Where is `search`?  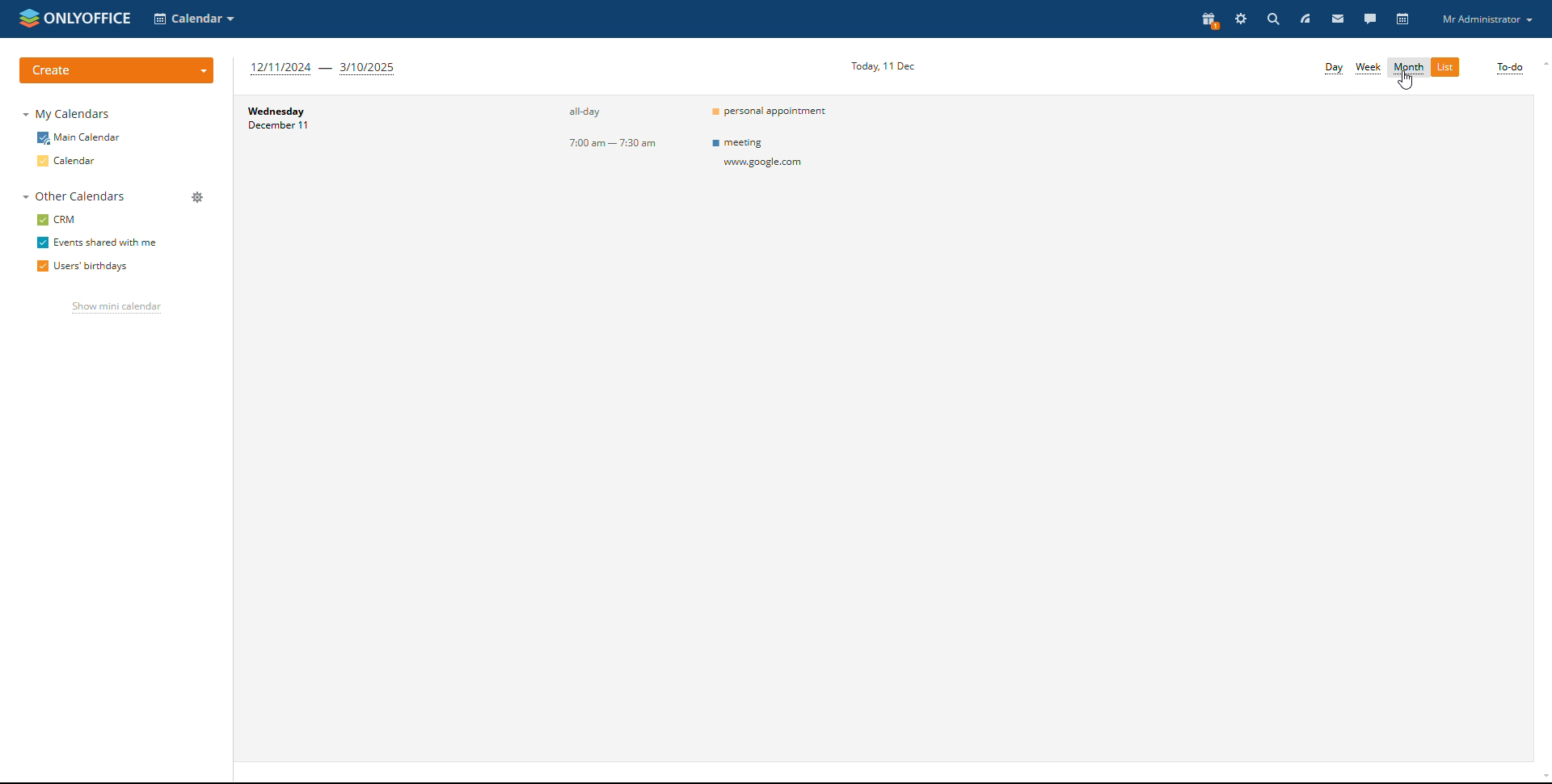 search is located at coordinates (1272, 19).